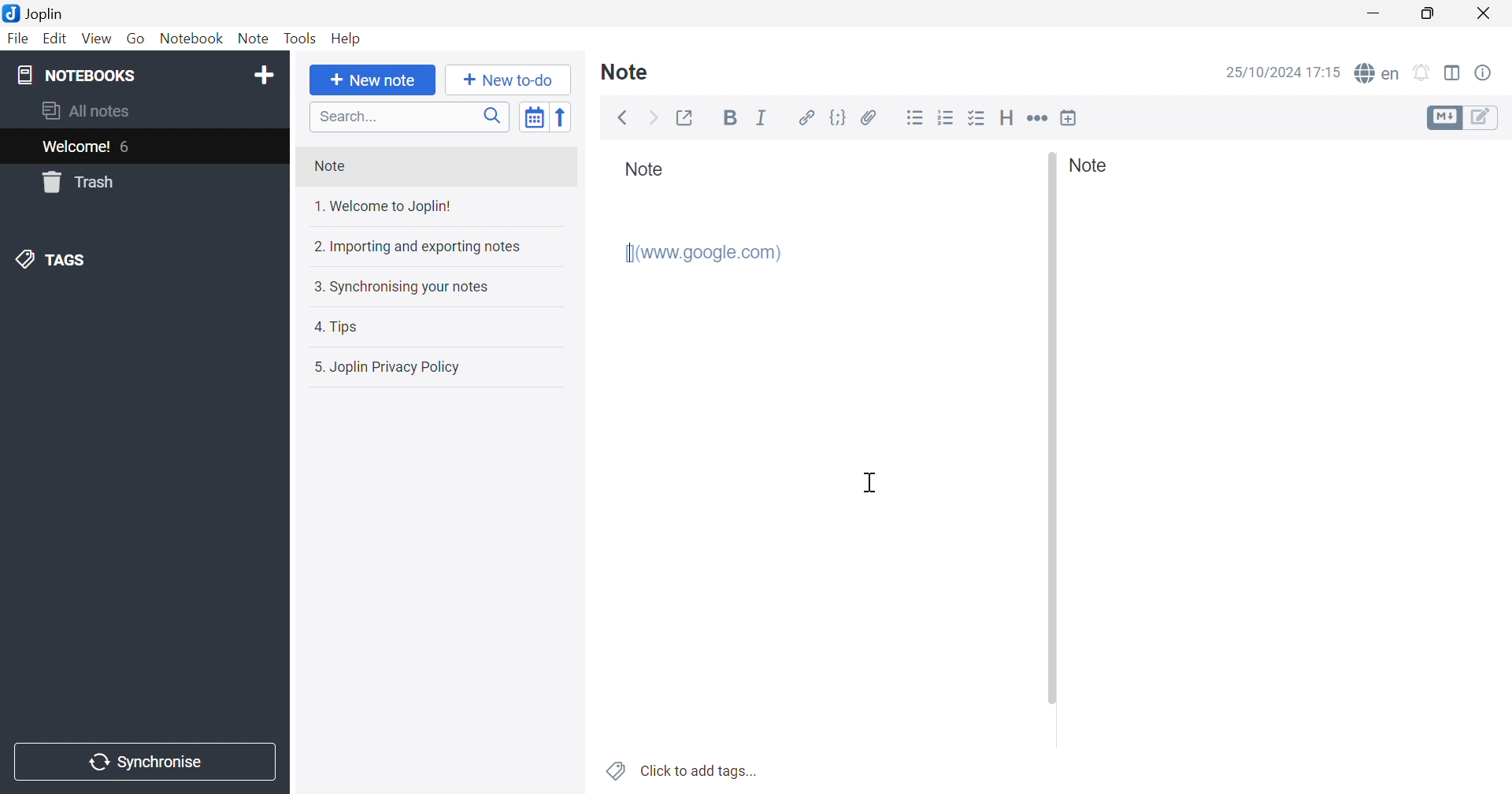  I want to click on Note, so click(255, 39).